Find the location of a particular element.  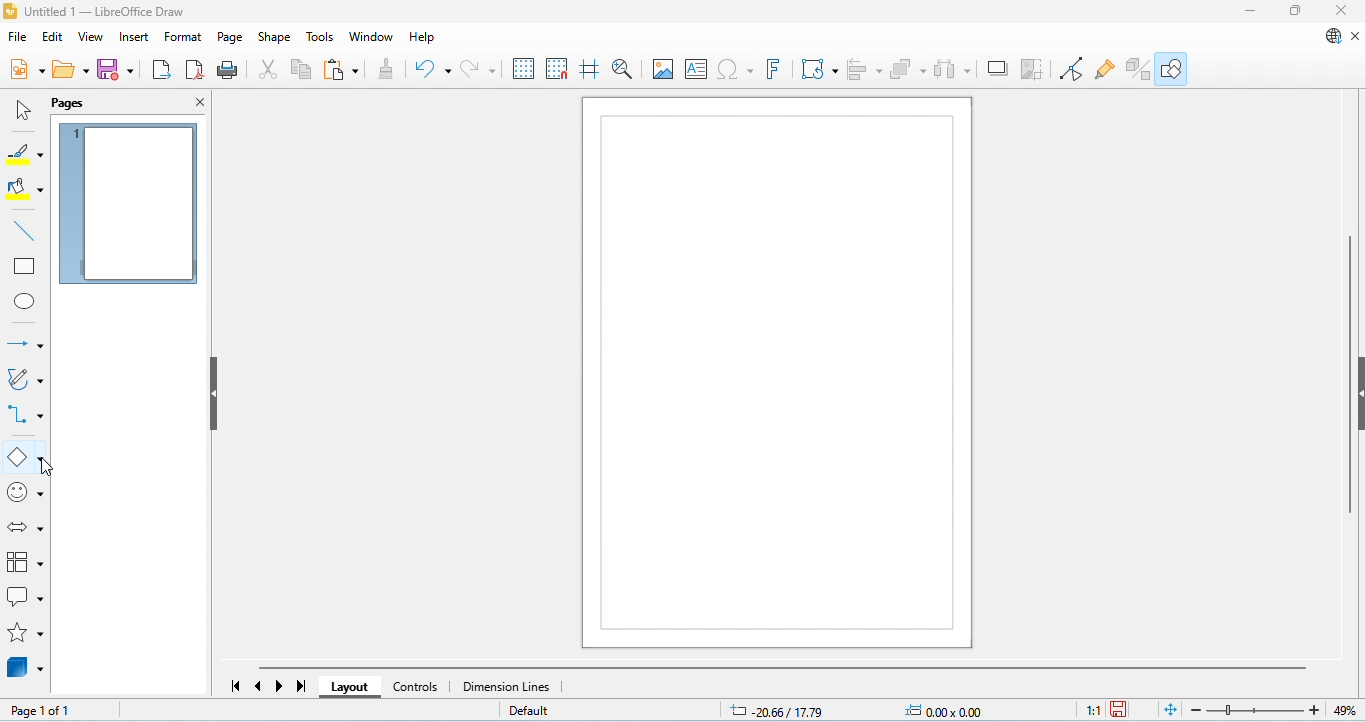

last page is located at coordinates (301, 687).